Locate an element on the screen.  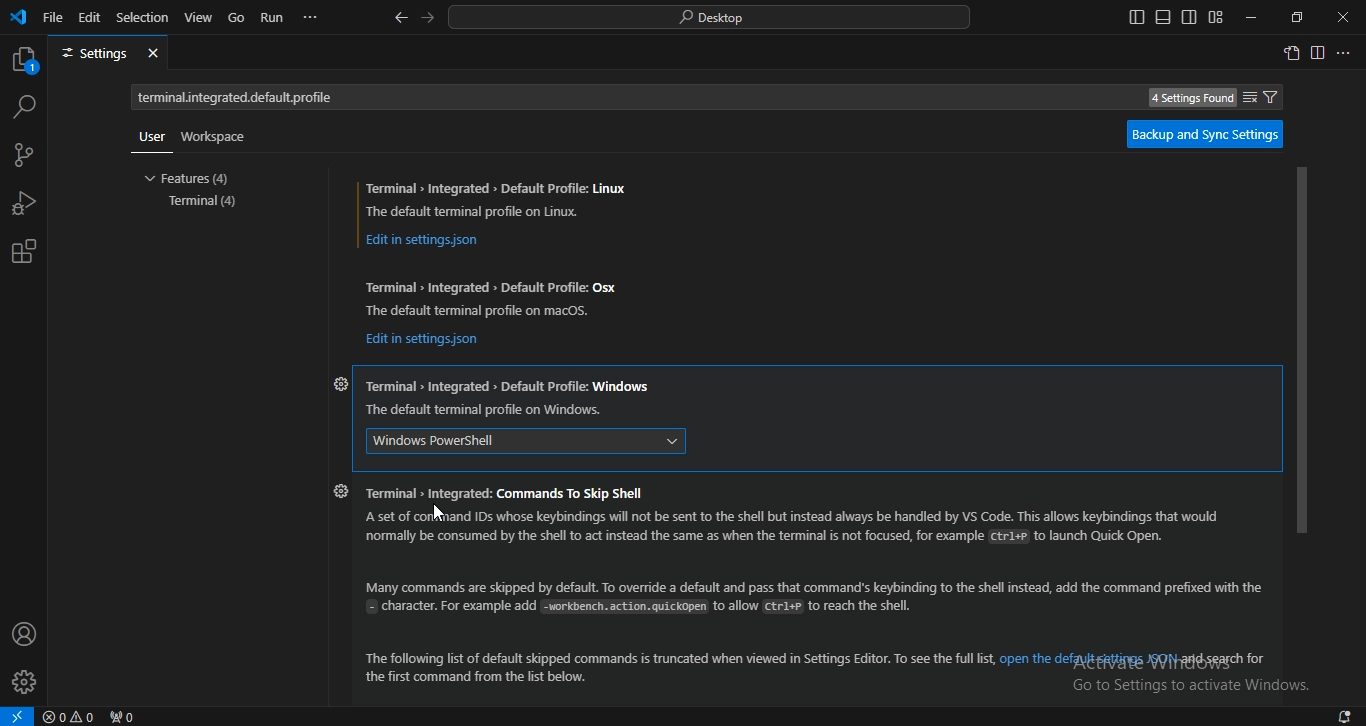
features is located at coordinates (193, 178).